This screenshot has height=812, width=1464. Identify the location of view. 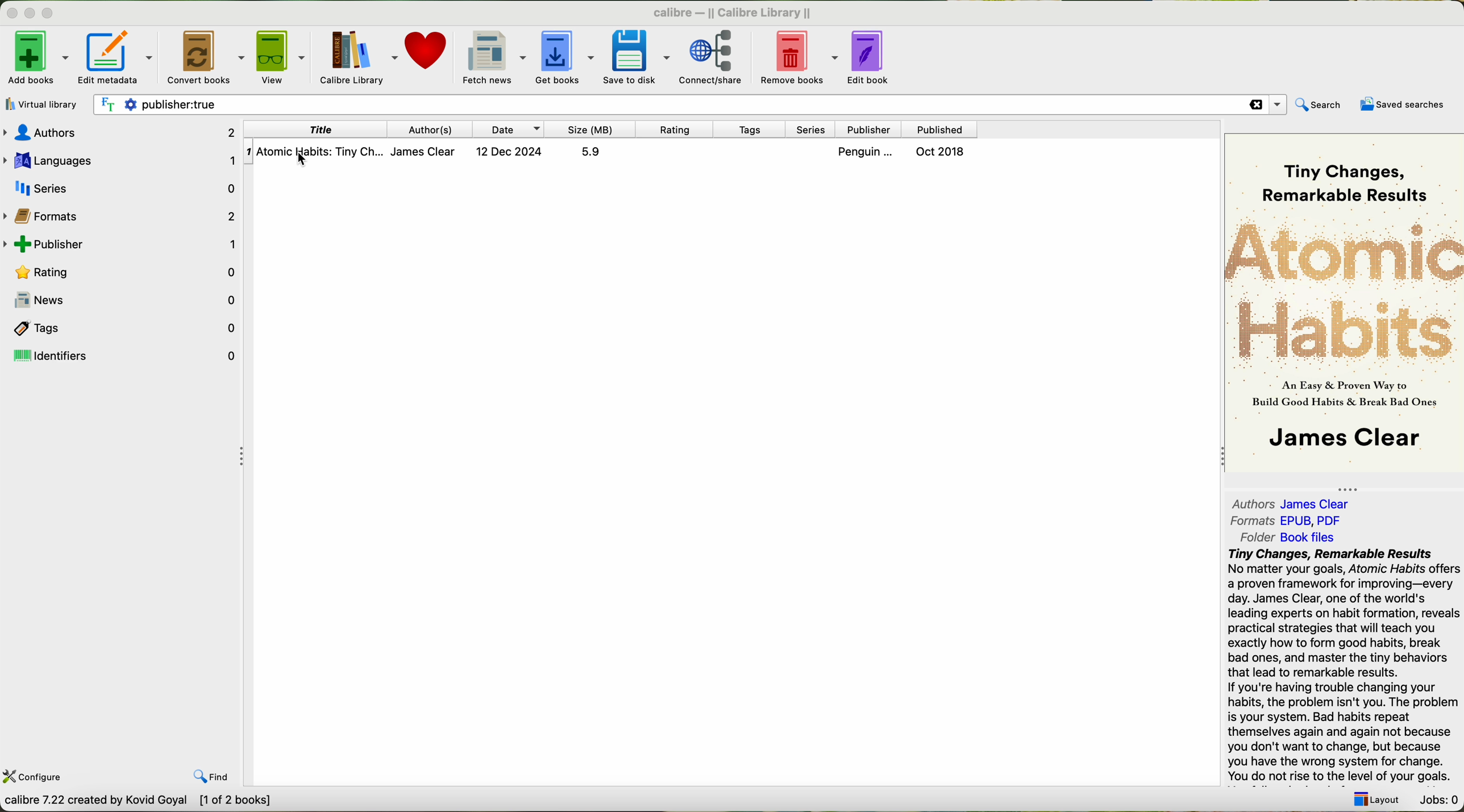
(282, 56).